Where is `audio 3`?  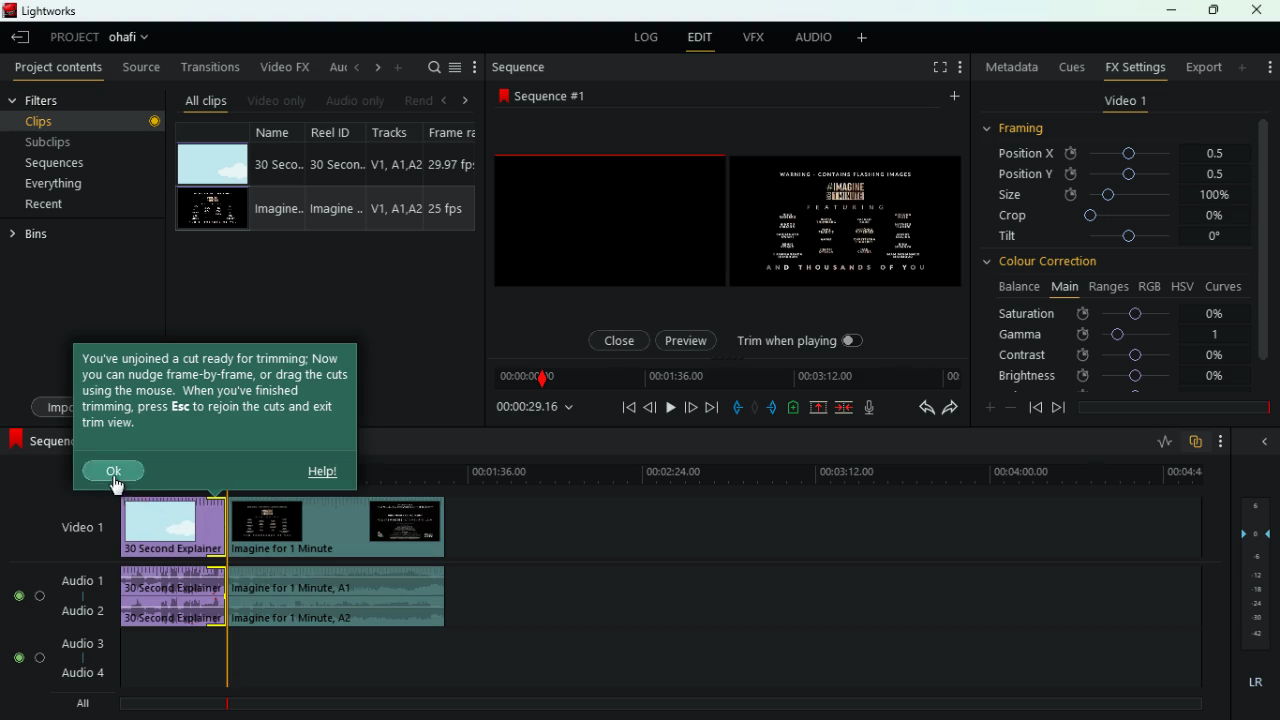
audio 3 is located at coordinates (79, 645).